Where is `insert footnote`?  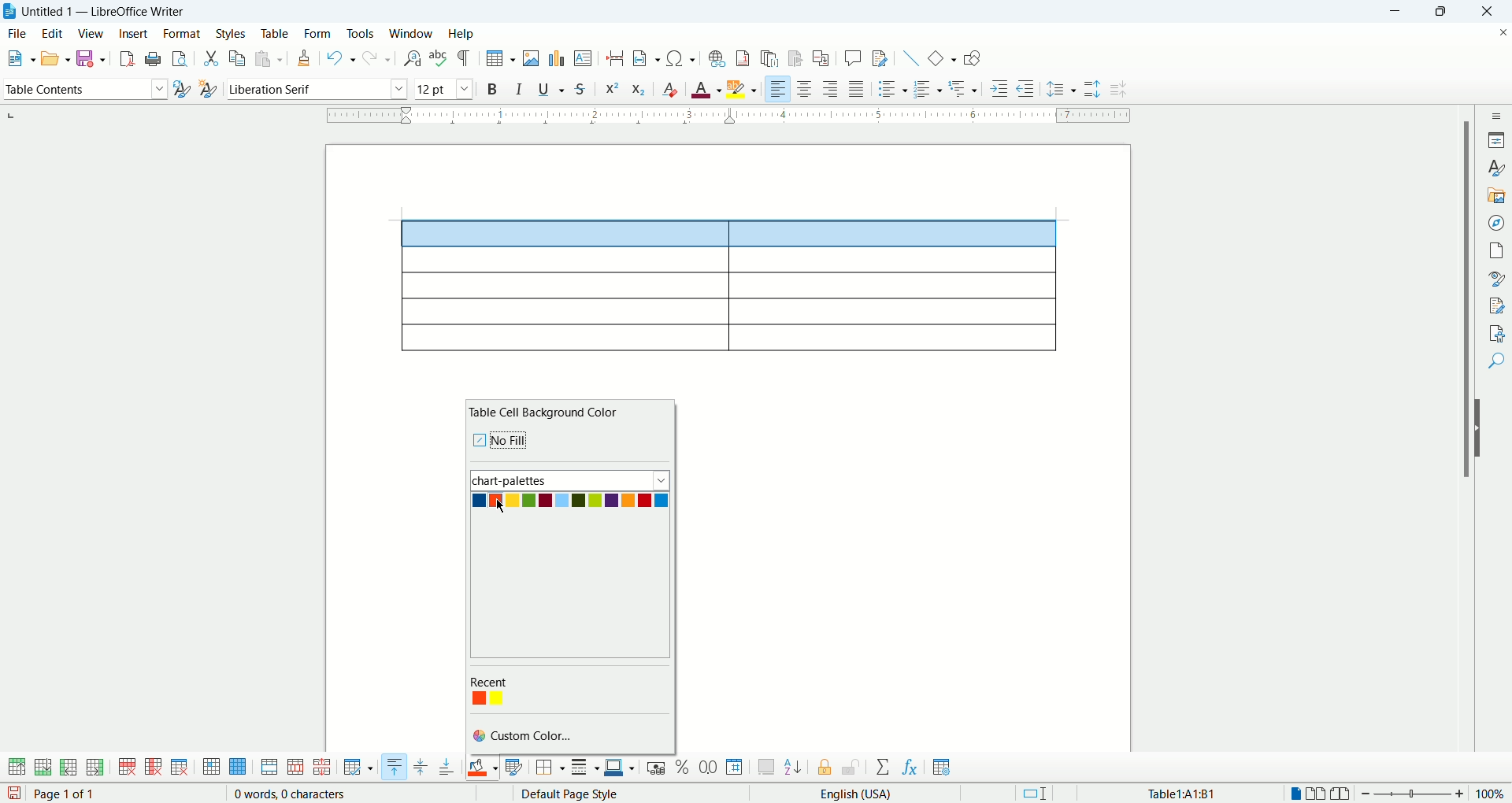 insert footnote is located at coordinates (746, 57).